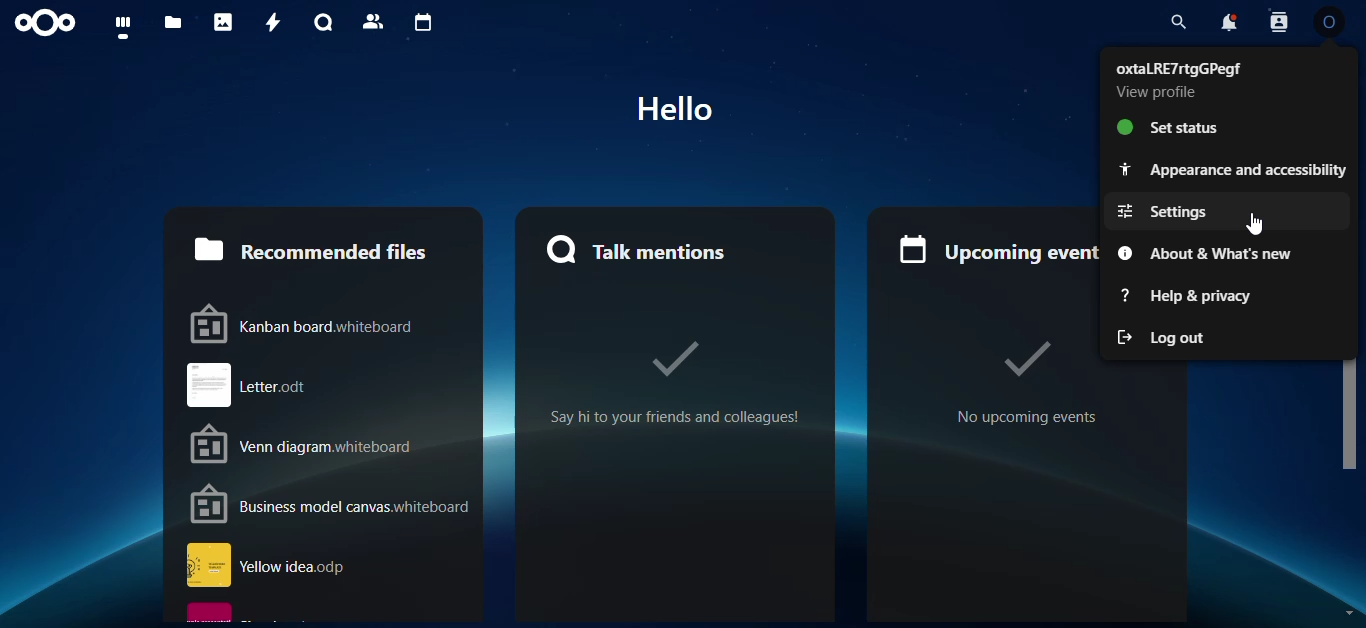 Image resolution: width=1366 pixels, height=628 pixels. Describe the element at coordinates (1227, 170) in the screenshot. I see `Appearance and accessibility` at that location.